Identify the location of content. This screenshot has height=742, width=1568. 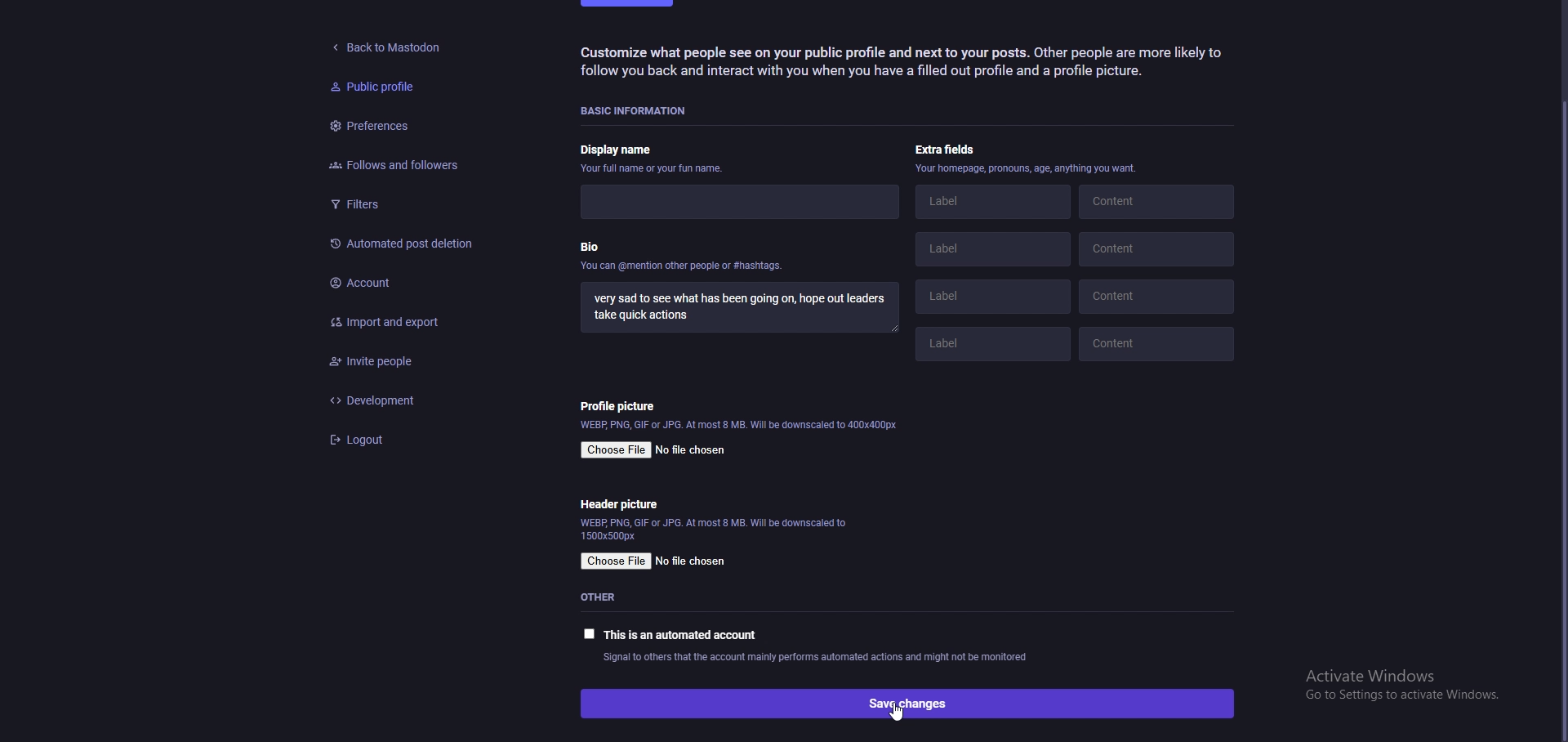
(1159, 205).